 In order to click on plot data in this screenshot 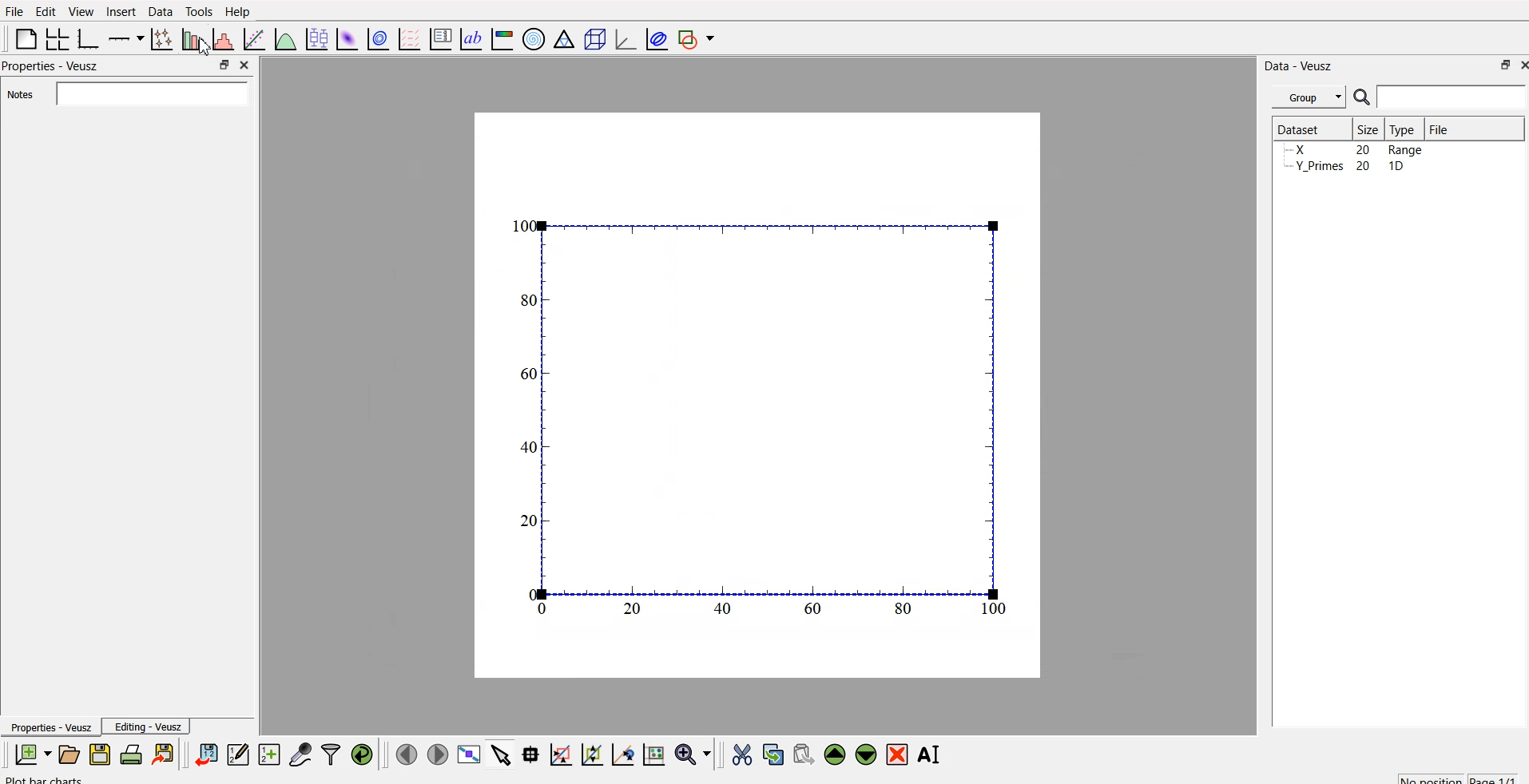, I will do `click(378, 38)`.